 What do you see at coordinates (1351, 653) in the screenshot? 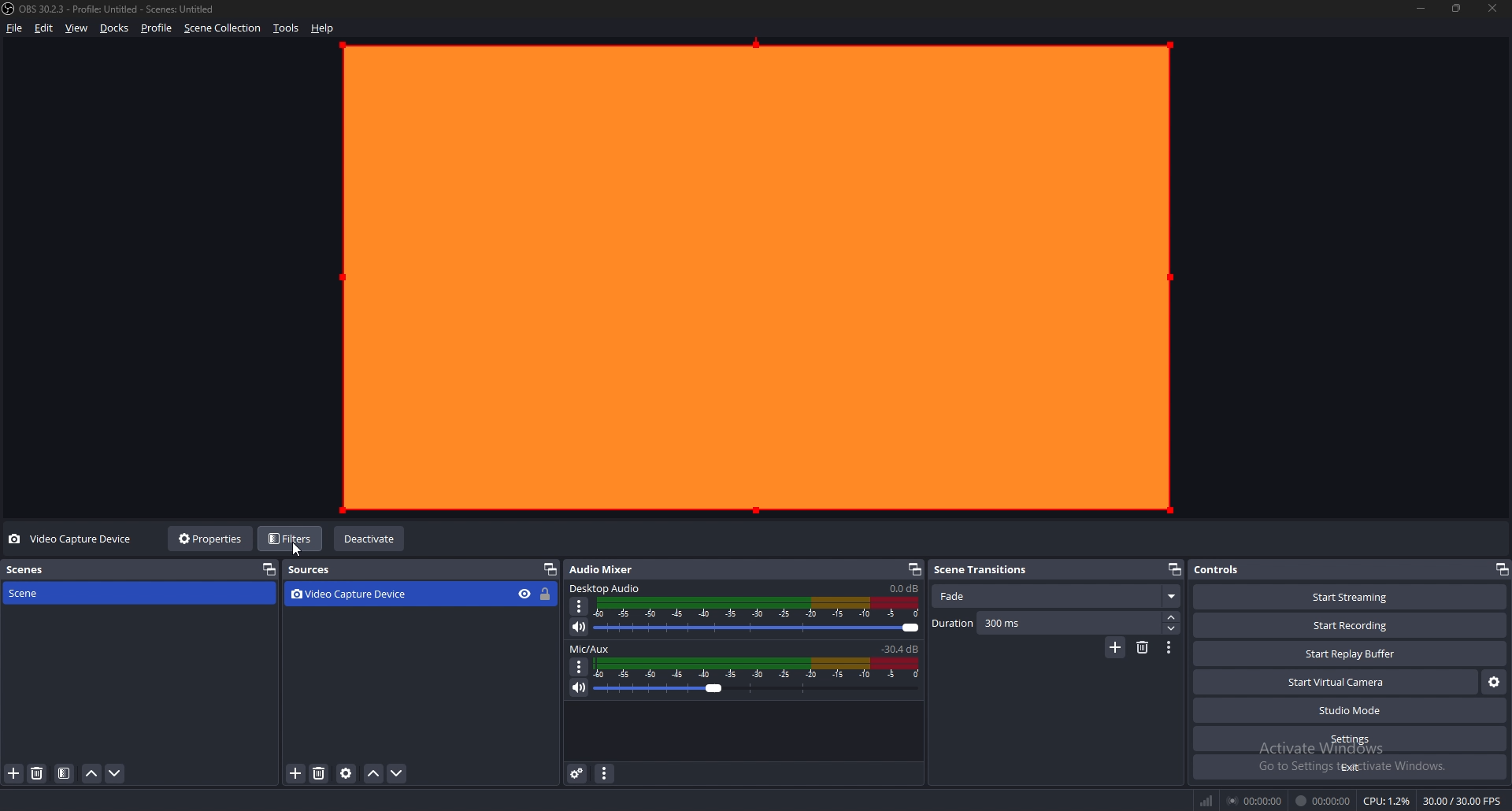
I see `start replay buffer` at bounding box center [1351, 653].